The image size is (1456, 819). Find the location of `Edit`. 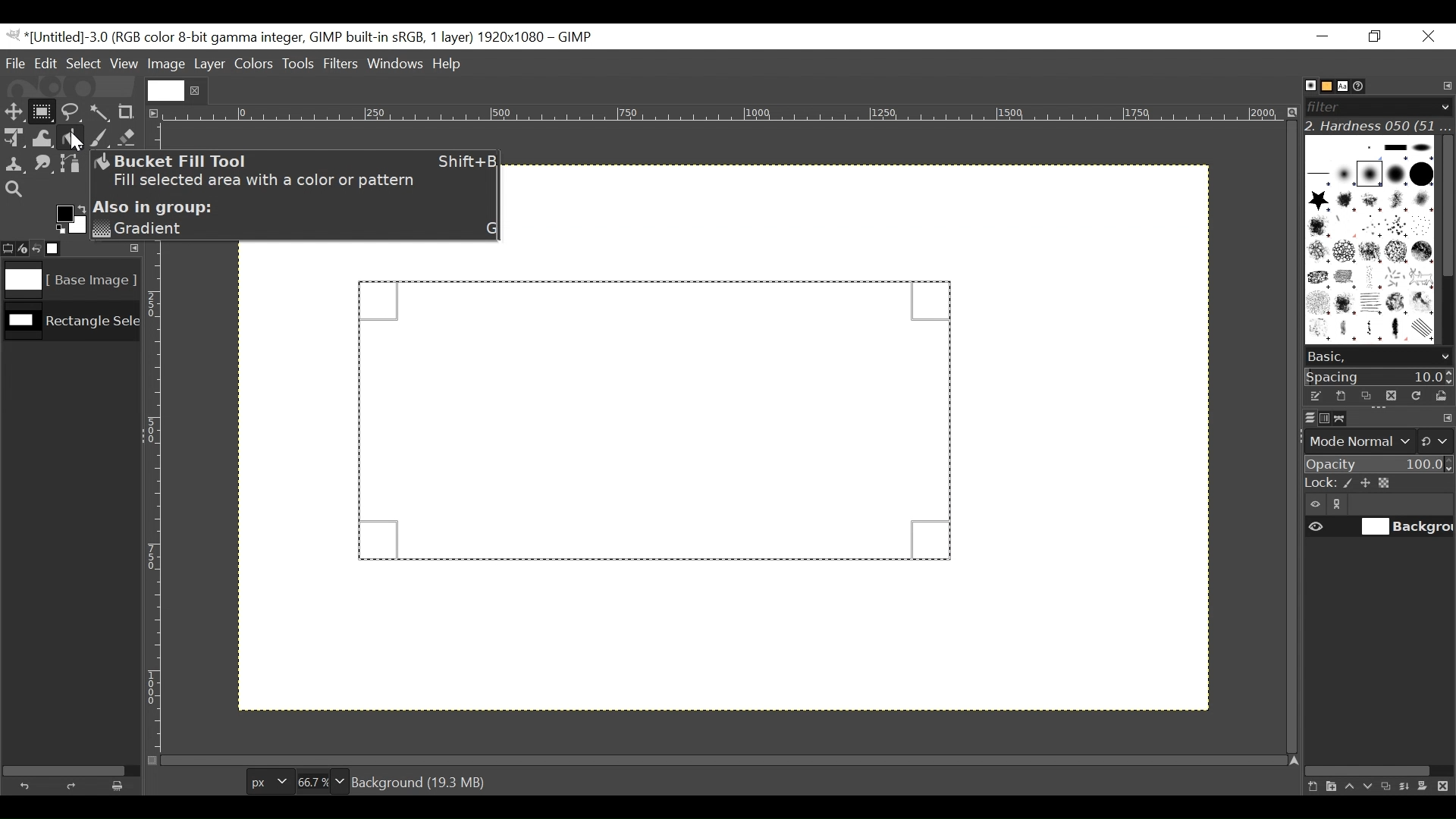

Edit is located at coordinates (47, 63).